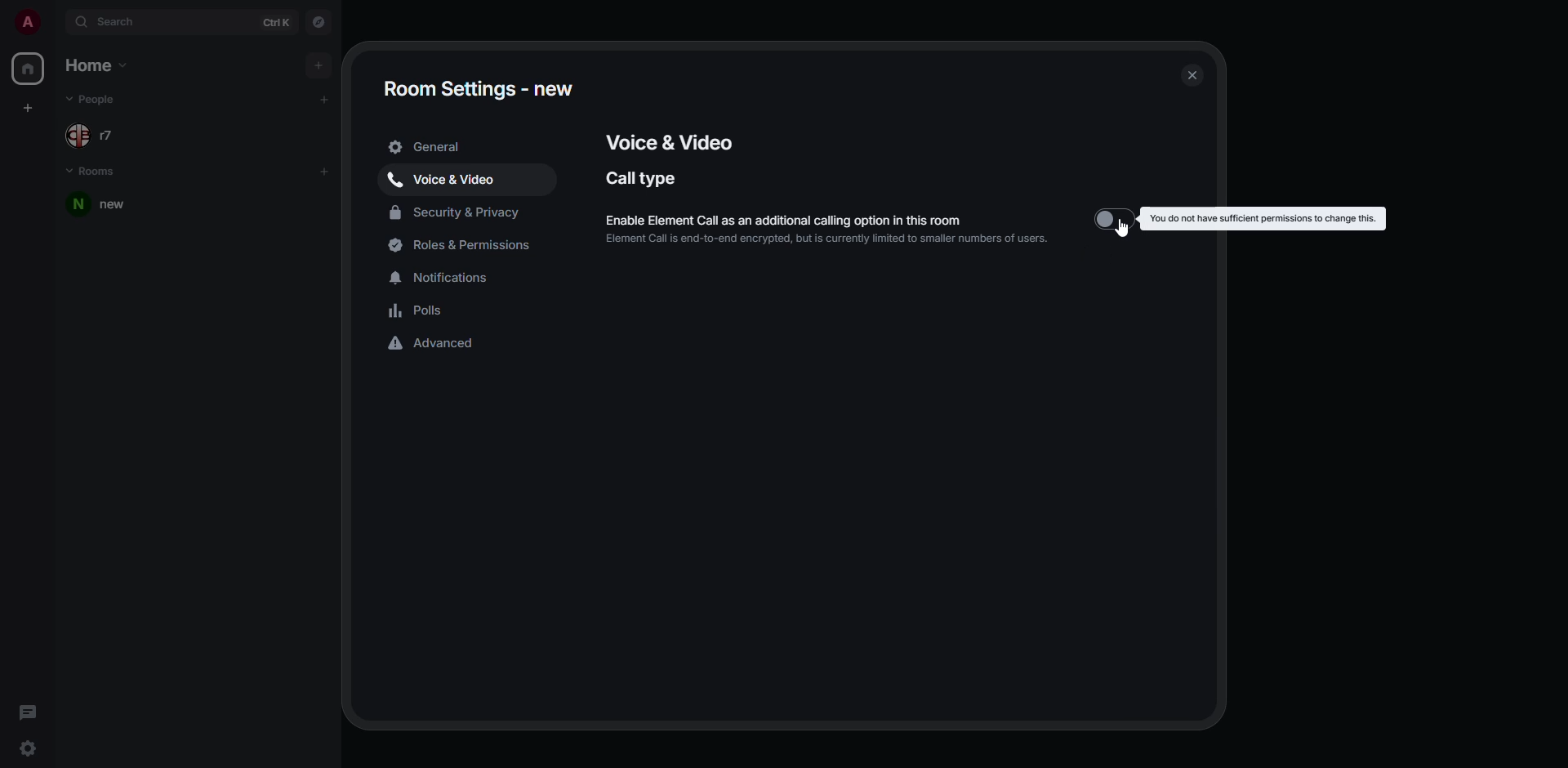 The height and width of the screenshot is (768, 1568). Describe the element at coordinates (95, 172) in the screenshot. I see `rooms` at that location.